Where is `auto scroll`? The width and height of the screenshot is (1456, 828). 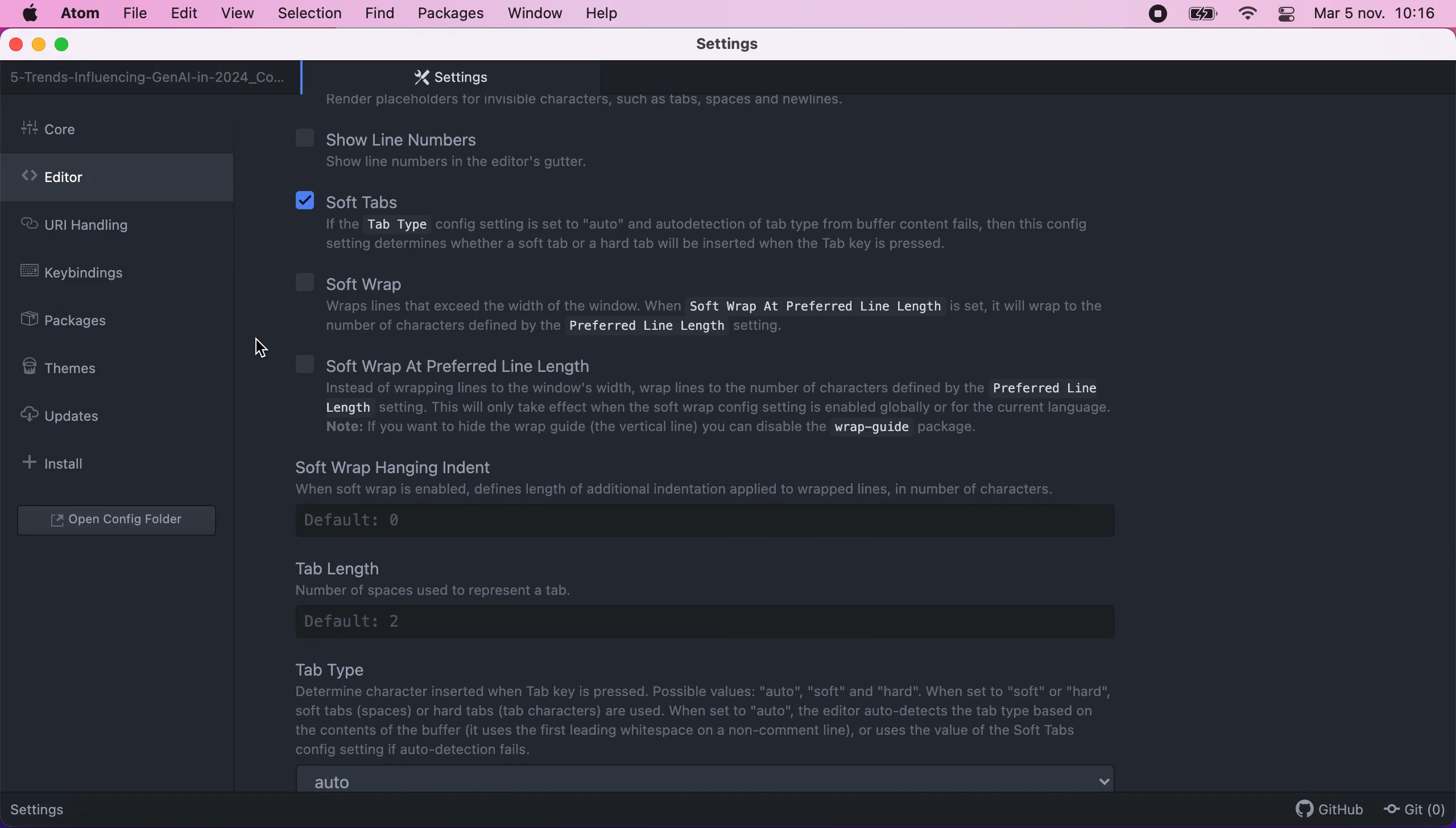
auto scroll is located at coordinates (707, 780).